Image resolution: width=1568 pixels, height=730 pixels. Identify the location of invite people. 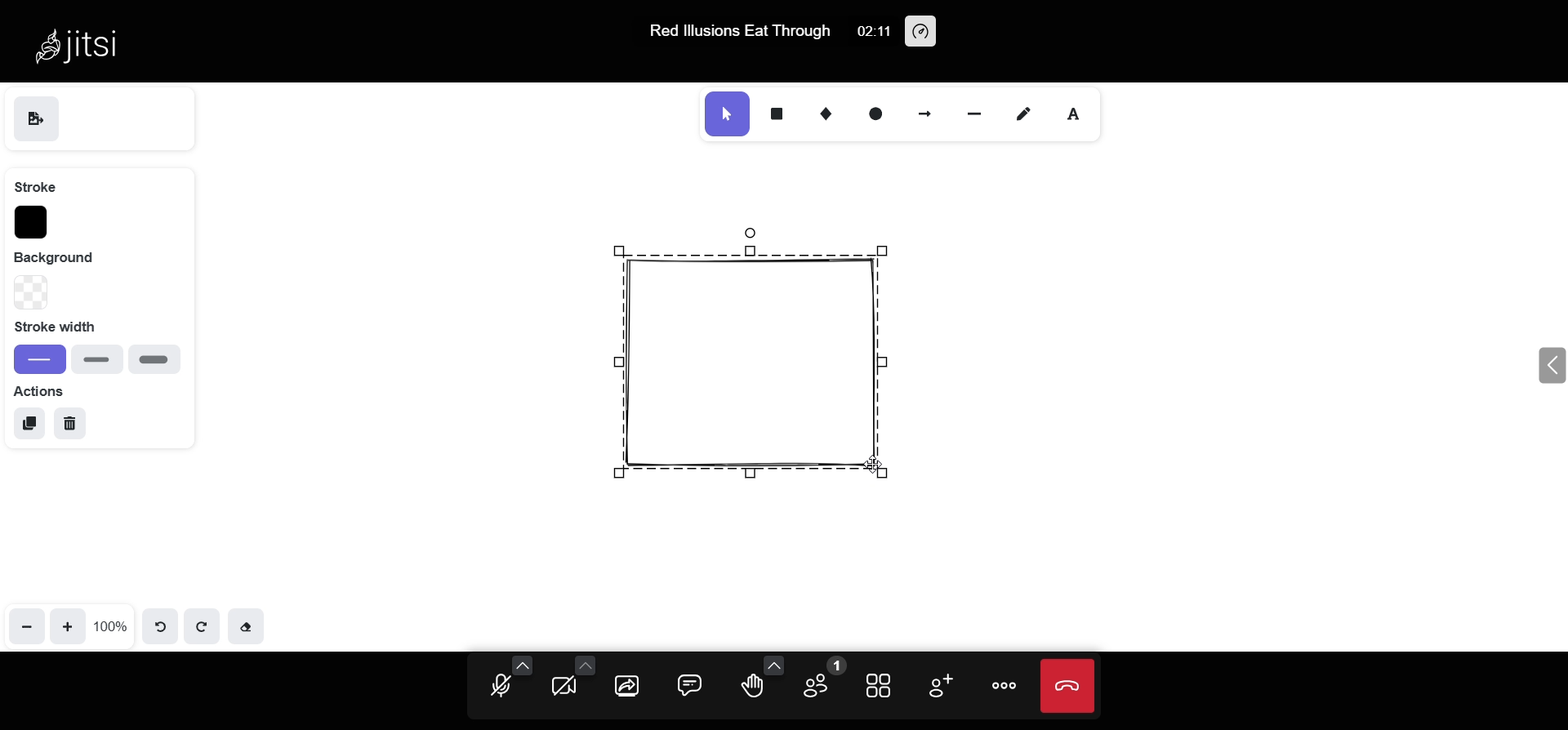
(938, 686).